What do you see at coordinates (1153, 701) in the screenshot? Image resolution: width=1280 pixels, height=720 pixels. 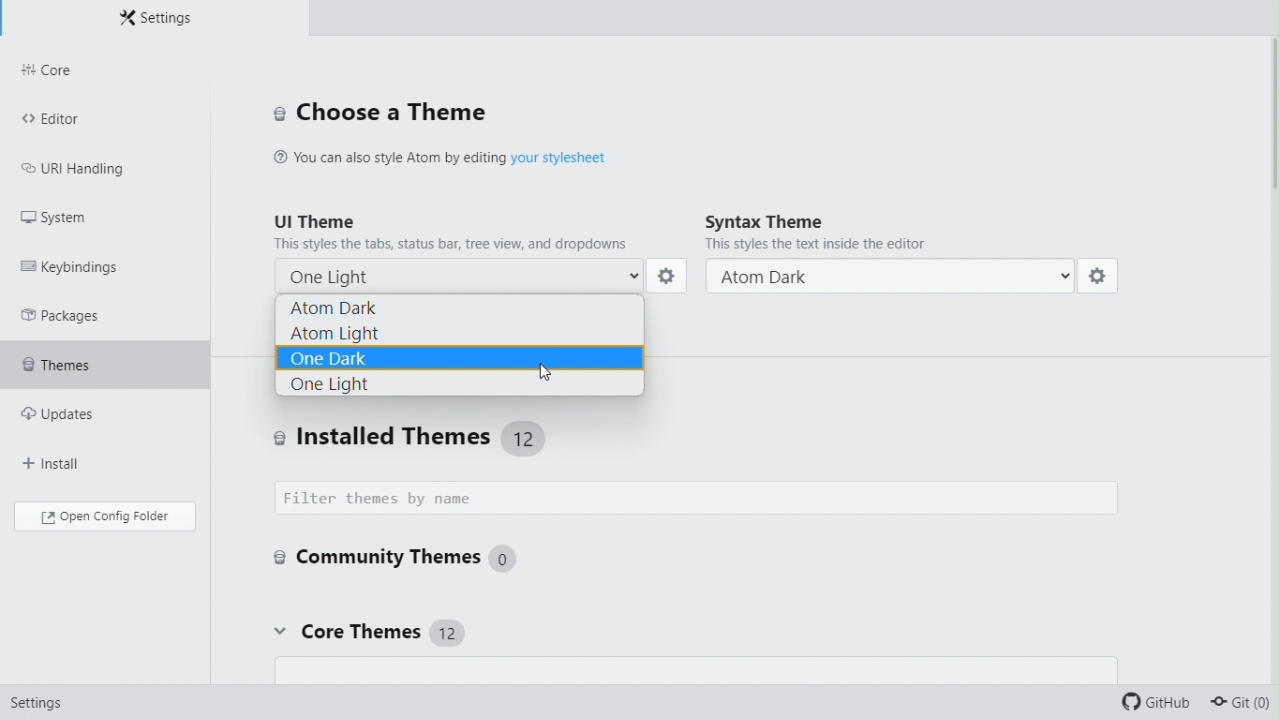 I see `github` at bounding box center [1153, 701].